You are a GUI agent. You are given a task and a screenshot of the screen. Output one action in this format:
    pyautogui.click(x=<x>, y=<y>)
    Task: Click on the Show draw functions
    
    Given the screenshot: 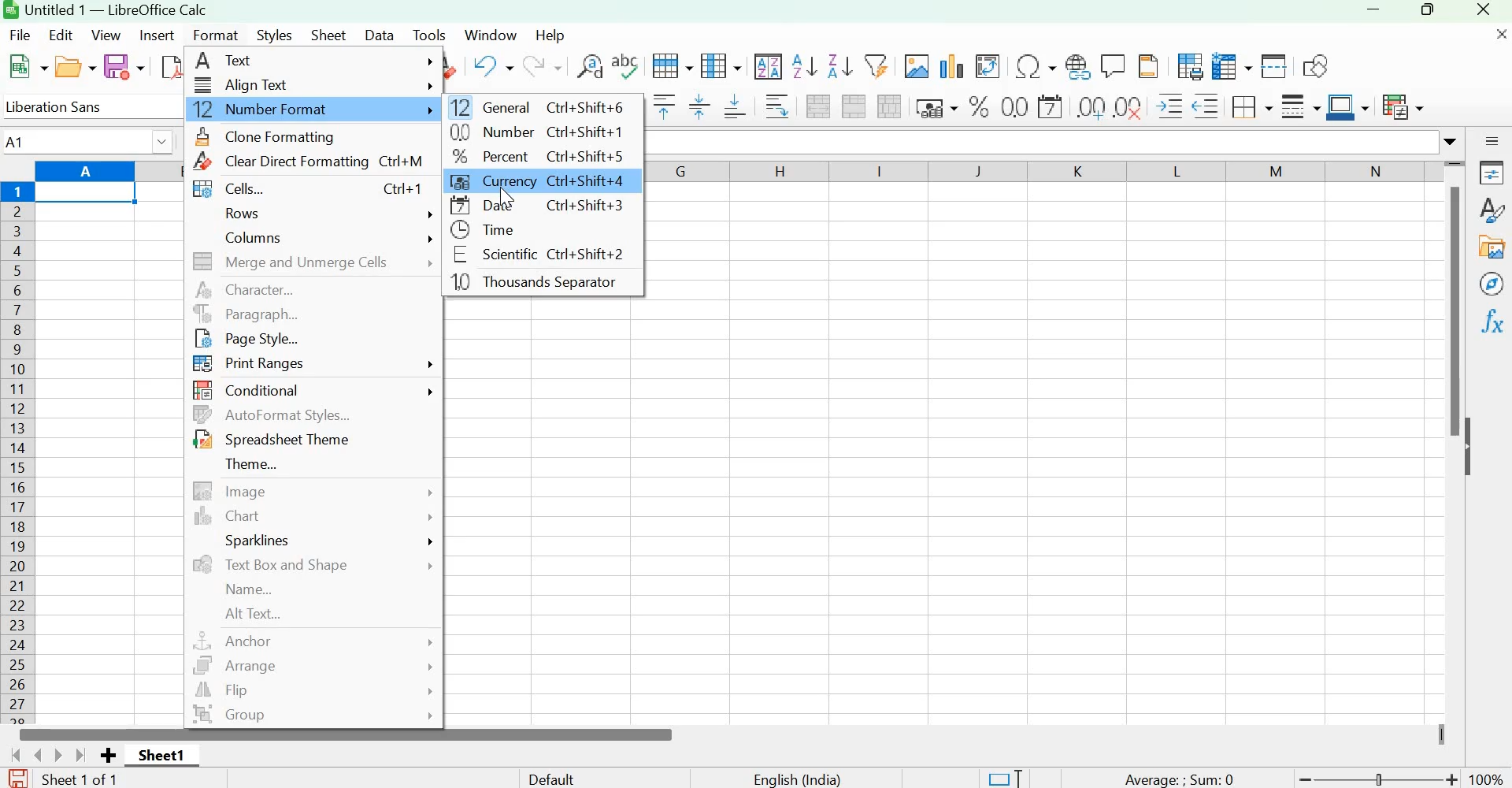 What is the action you would take?
    pyautogui.click(x=1314, y=64)
    